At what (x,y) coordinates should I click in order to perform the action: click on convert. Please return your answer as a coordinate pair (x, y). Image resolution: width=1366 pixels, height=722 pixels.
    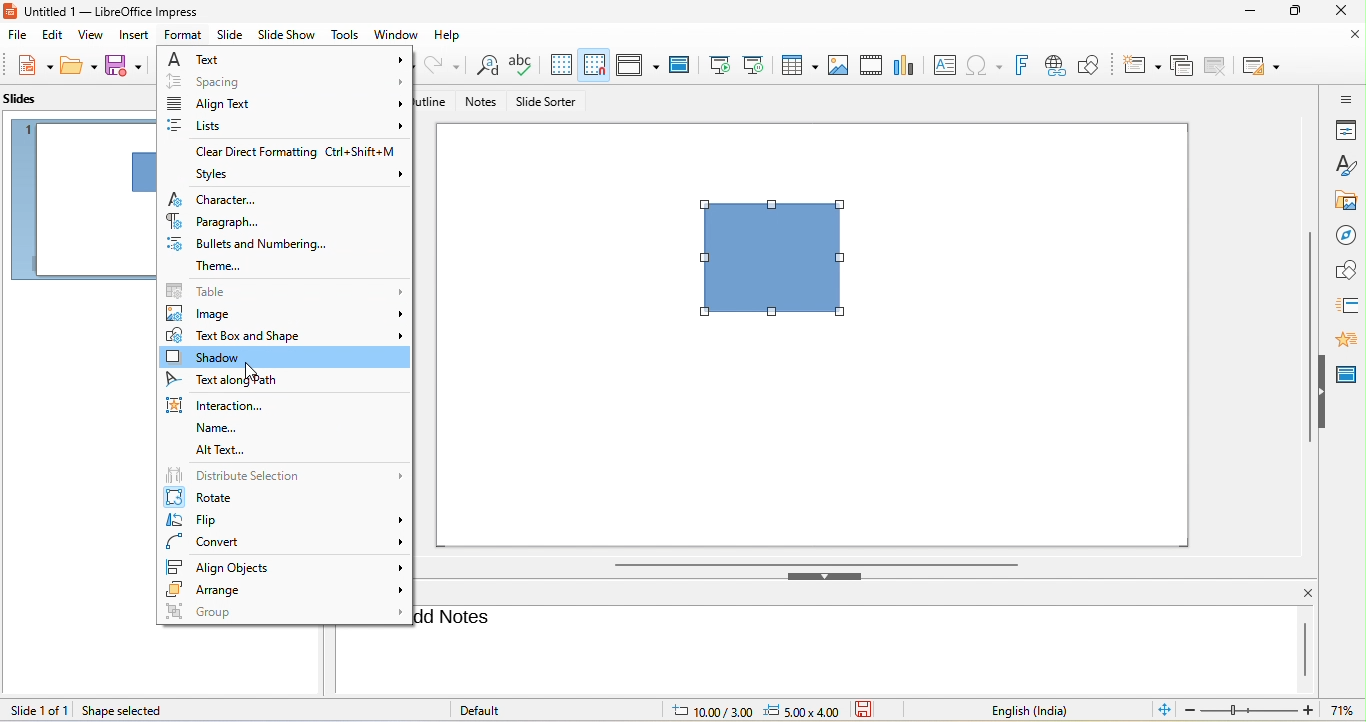
    Looking at the image, I should click on (285, 541).